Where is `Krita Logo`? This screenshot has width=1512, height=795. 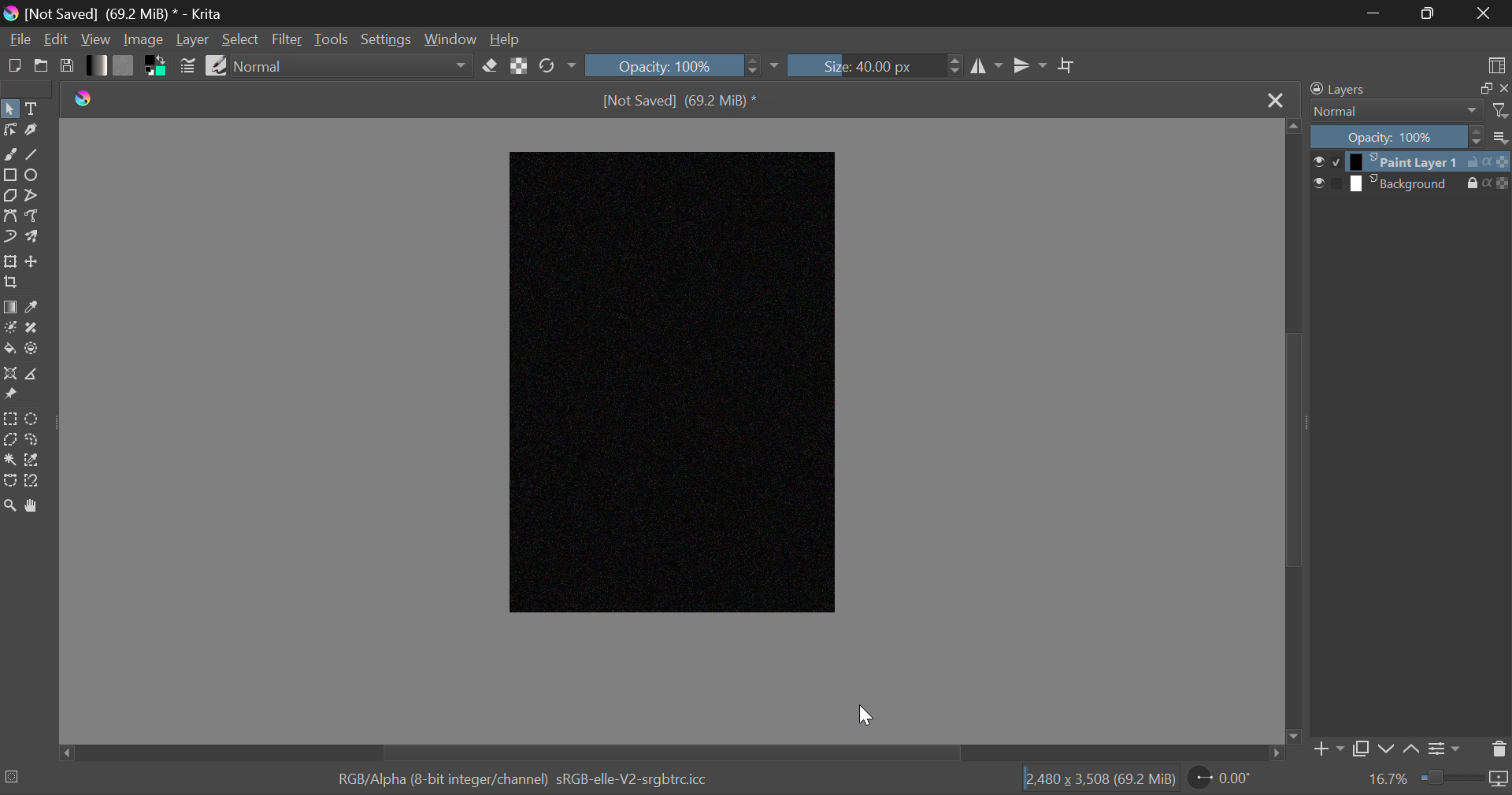
Krita Logo is located at coordinates (85, 97).